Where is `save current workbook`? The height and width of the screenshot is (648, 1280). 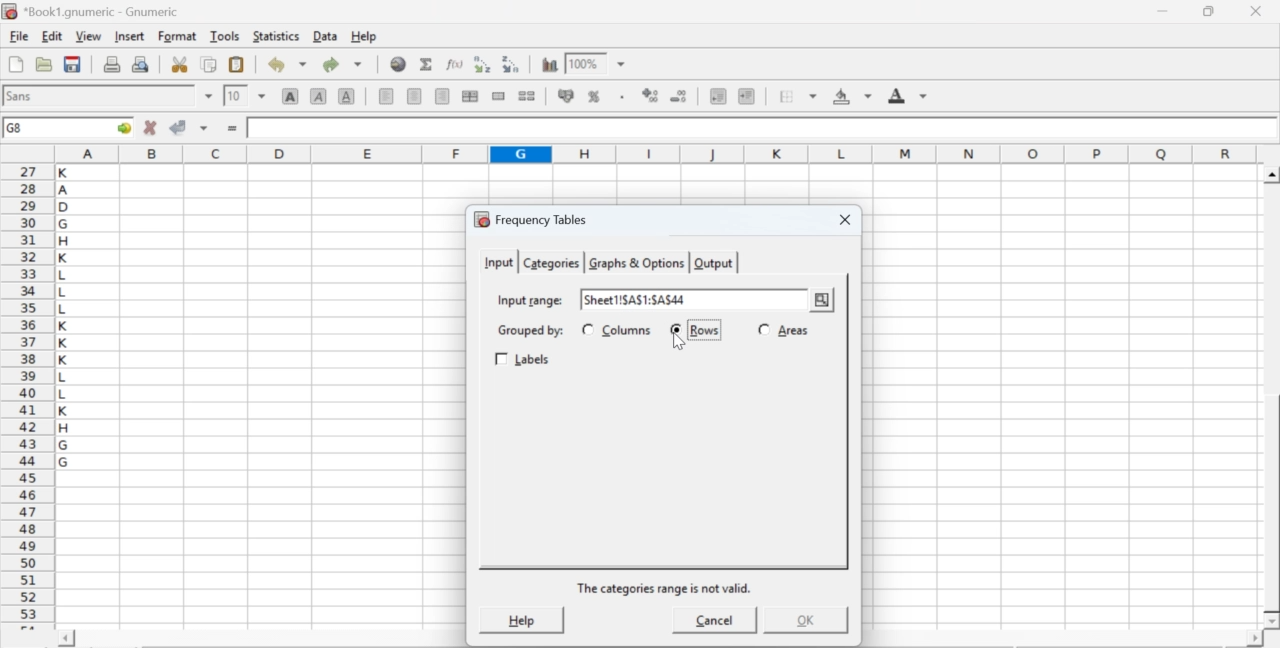
save current workbook is located at coordinates (73, 64).